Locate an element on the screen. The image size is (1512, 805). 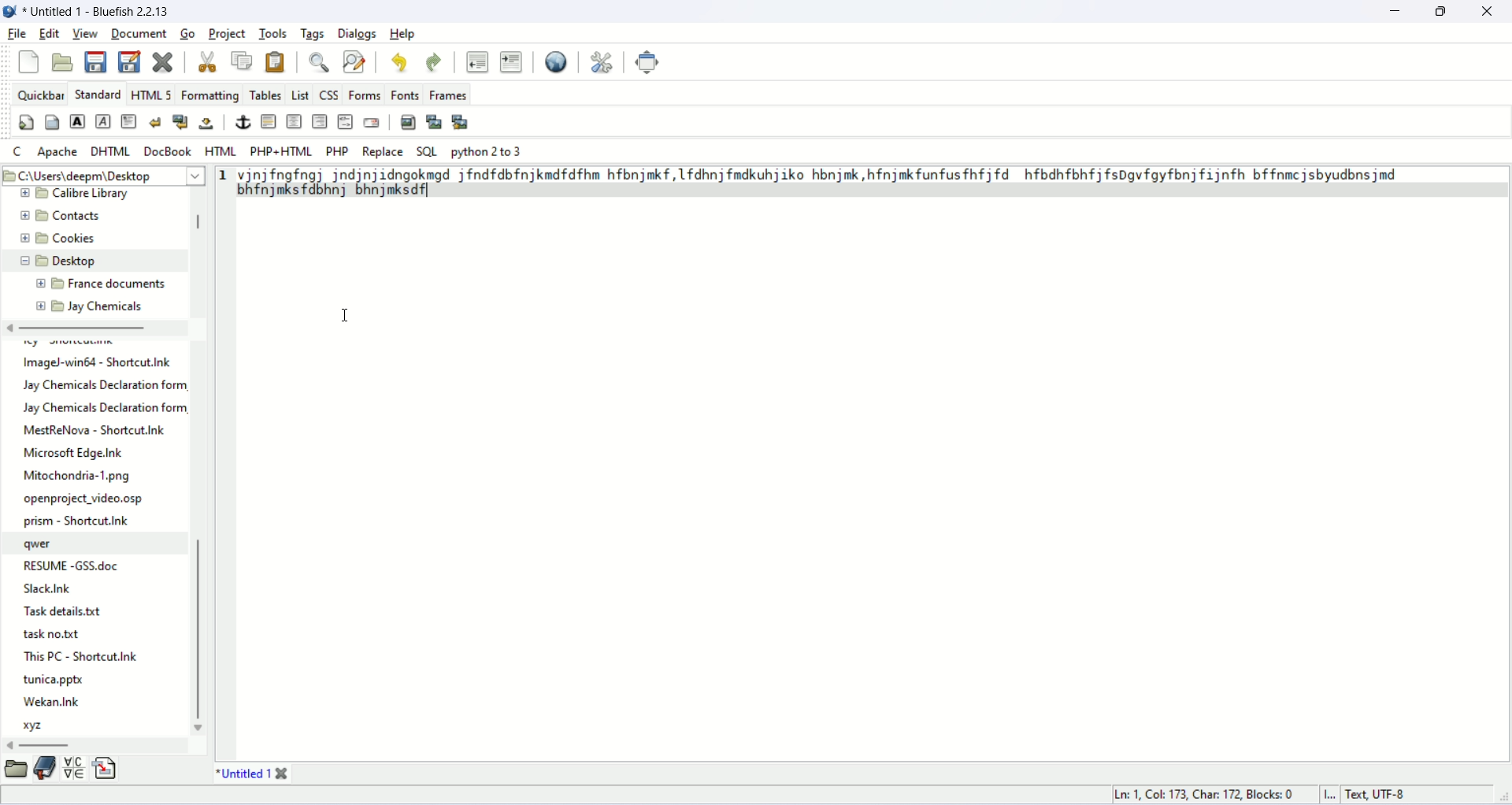
PHP is located at coordinates (338, 151).